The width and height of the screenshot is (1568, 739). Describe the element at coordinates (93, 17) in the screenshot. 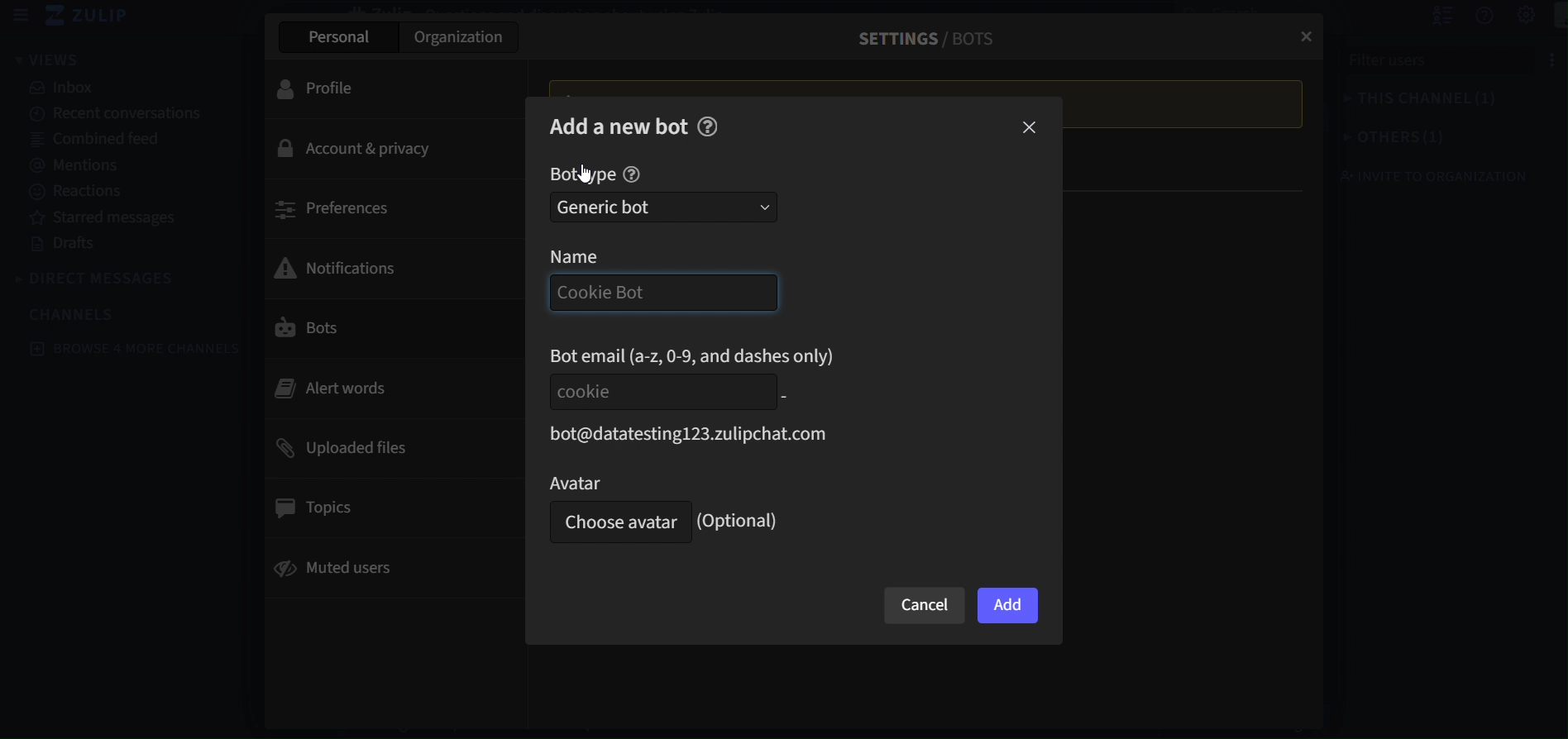

I see `zulip` at that location.